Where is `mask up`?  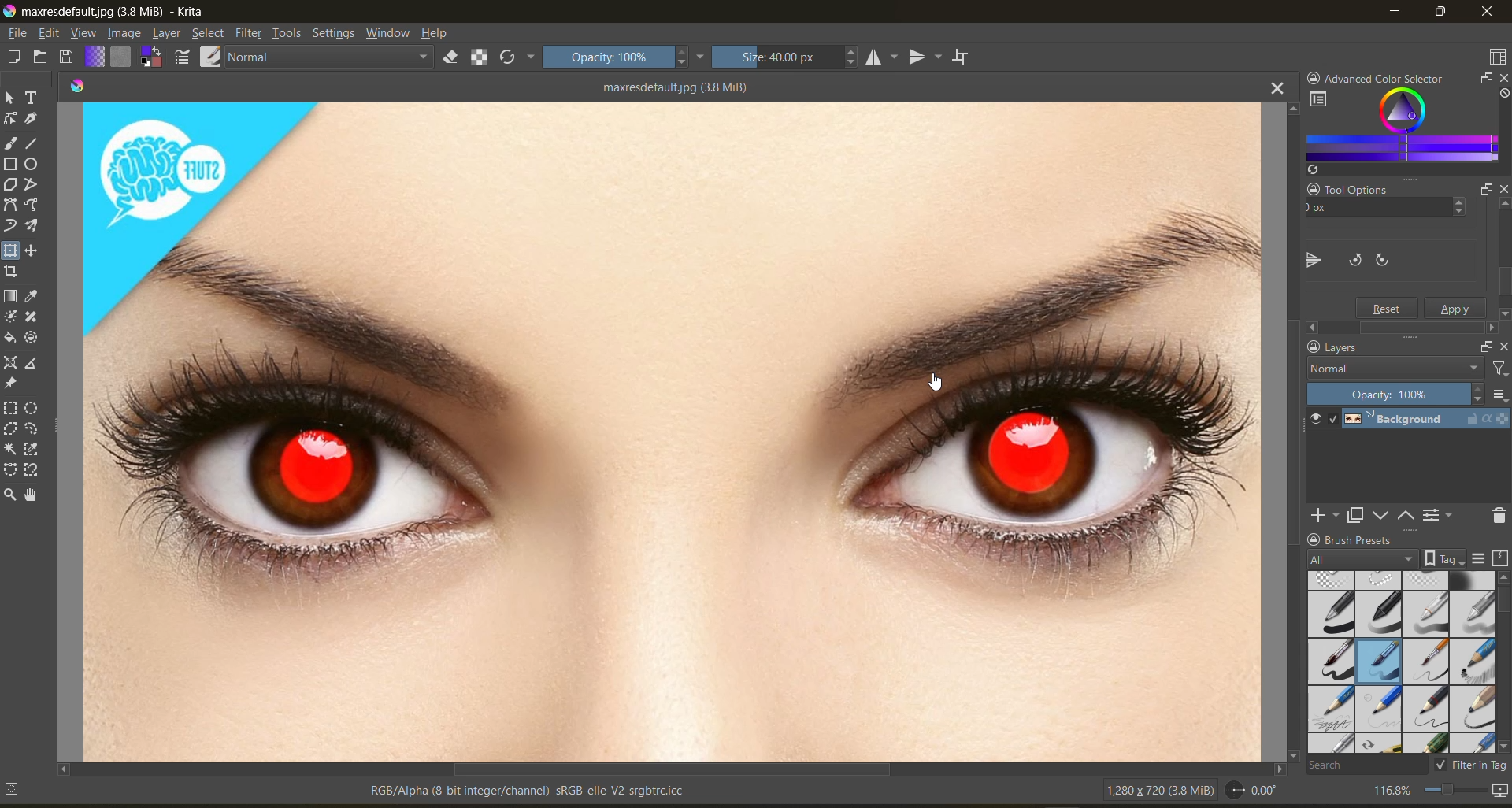 mask up is located at coordinates (1404, 514).